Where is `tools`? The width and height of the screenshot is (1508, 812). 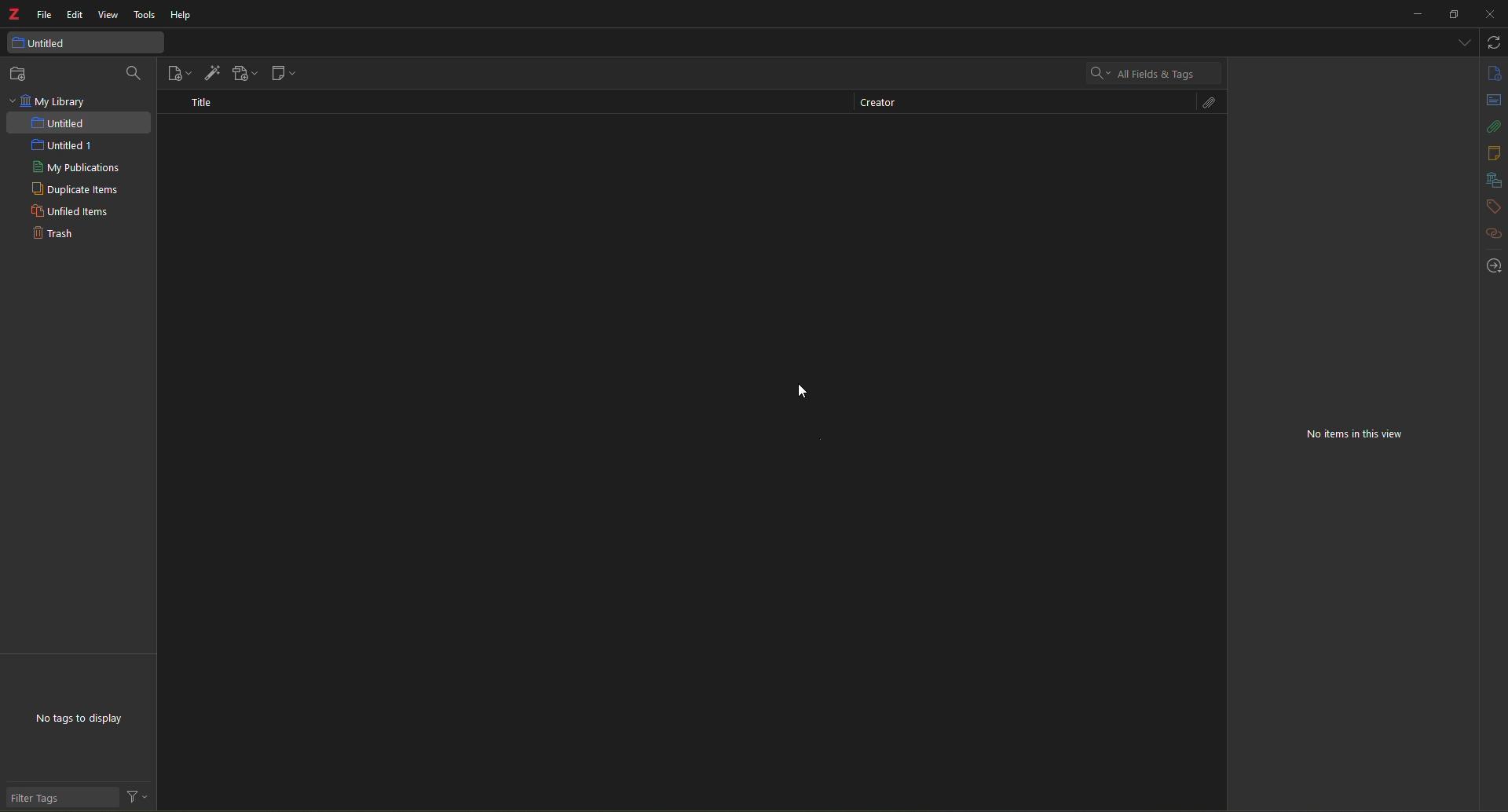 tools is located at coordinates (146, 16).